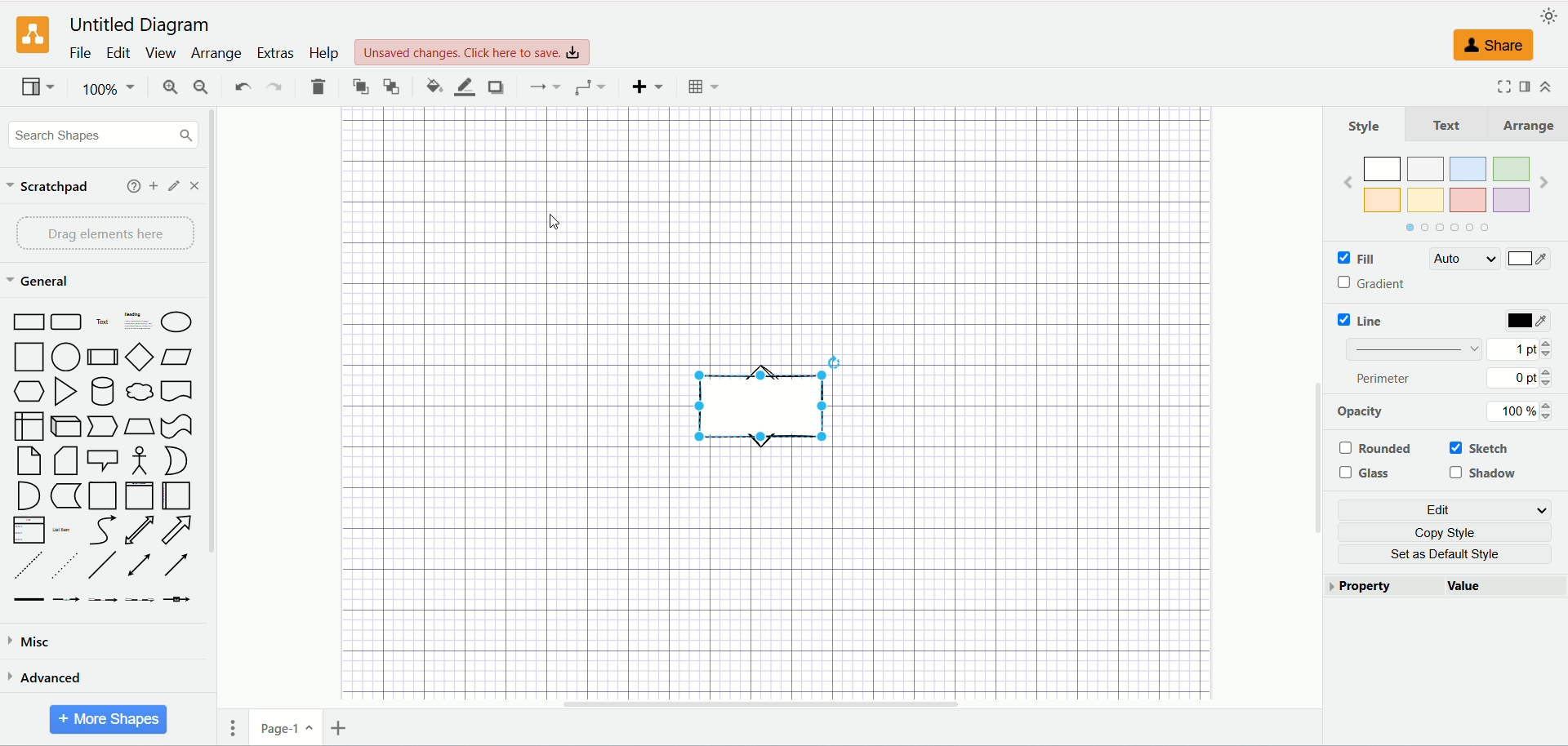 The image size is (1568, 746). I want to click on Fullscreen, so click(1494, 87).